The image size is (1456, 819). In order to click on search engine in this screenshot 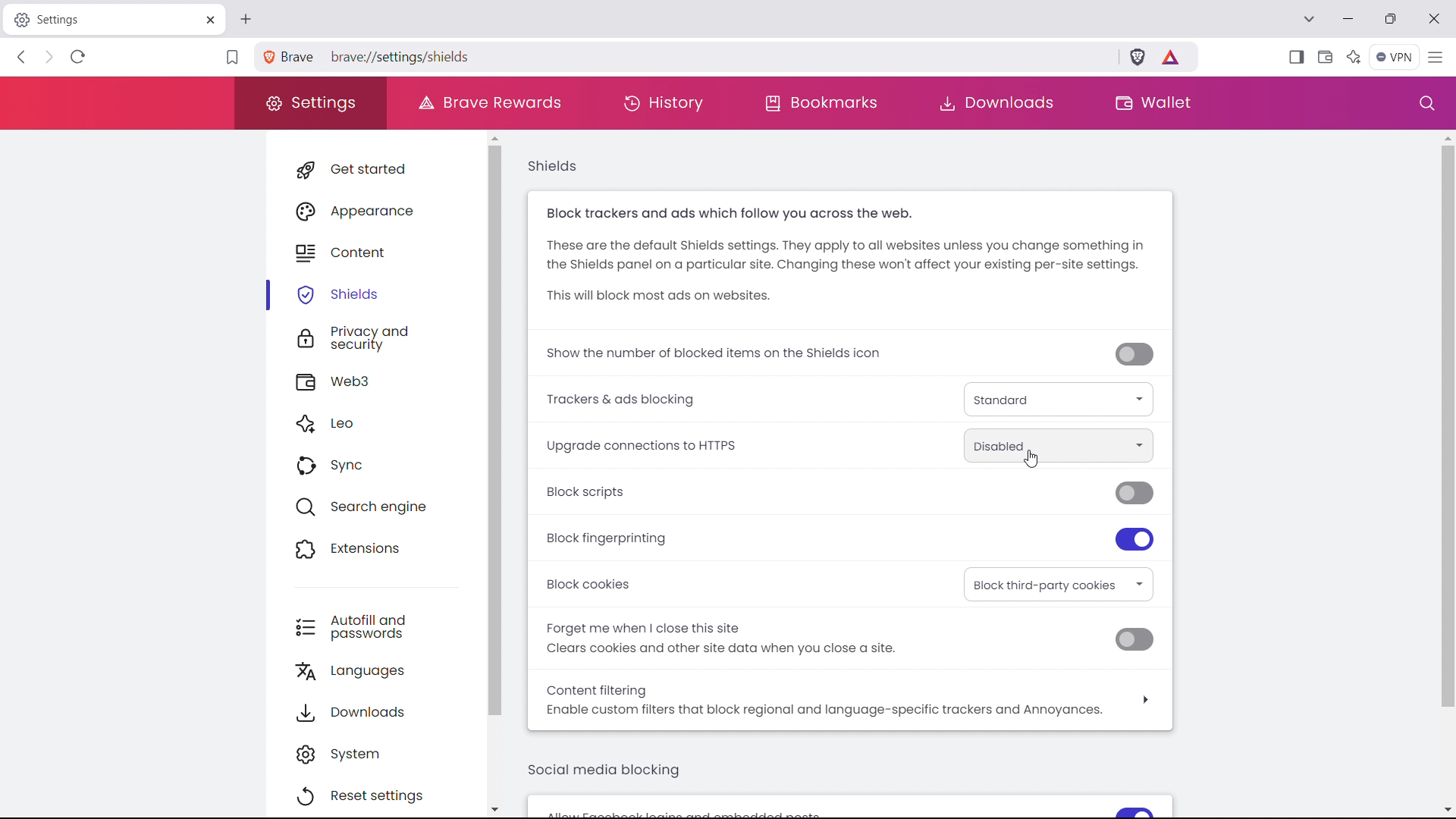, I will do `click(384, 505)`.